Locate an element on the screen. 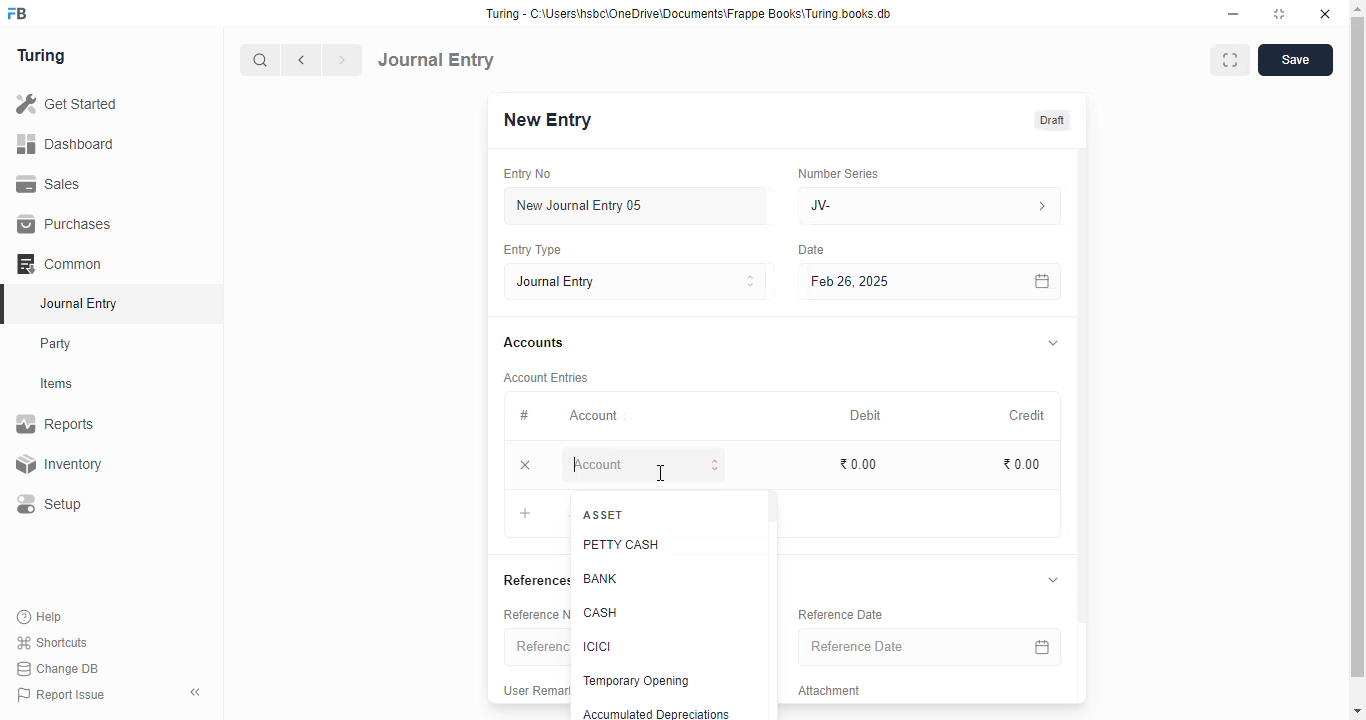 The height and width of the screenshot is (720, 1366). items is located at coordinates (59, 384).